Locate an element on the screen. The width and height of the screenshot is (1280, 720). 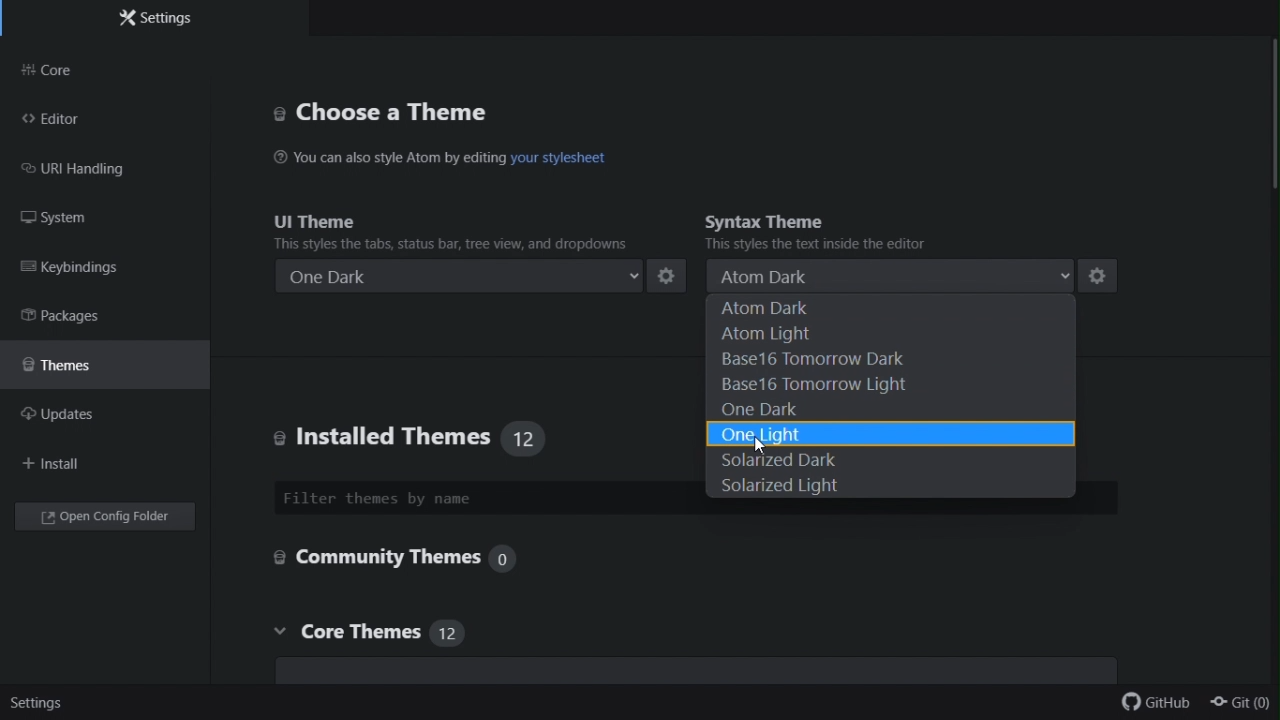
updates is located at coordinates (81, 419).